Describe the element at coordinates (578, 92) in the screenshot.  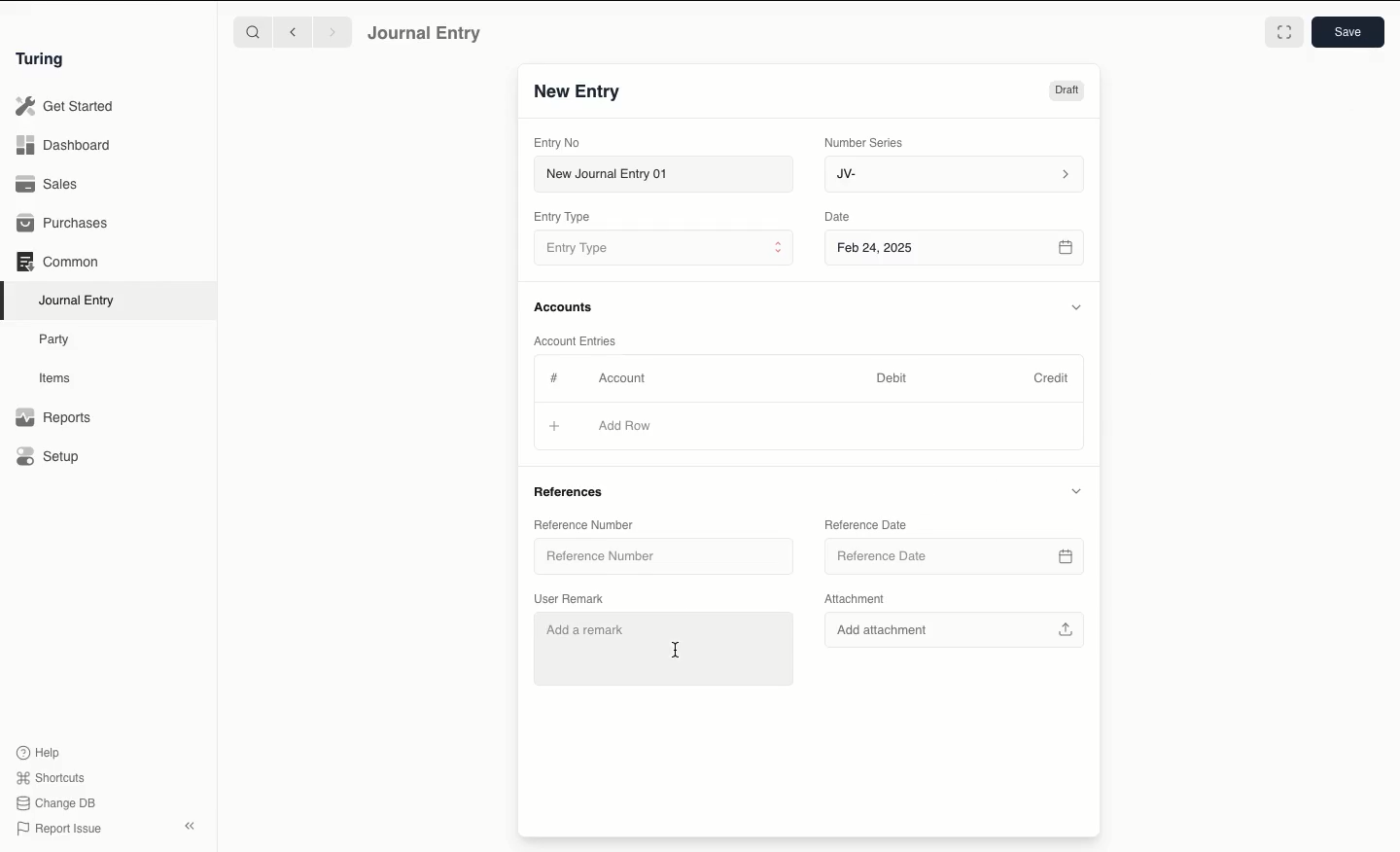
I see `New Entry` at that location.